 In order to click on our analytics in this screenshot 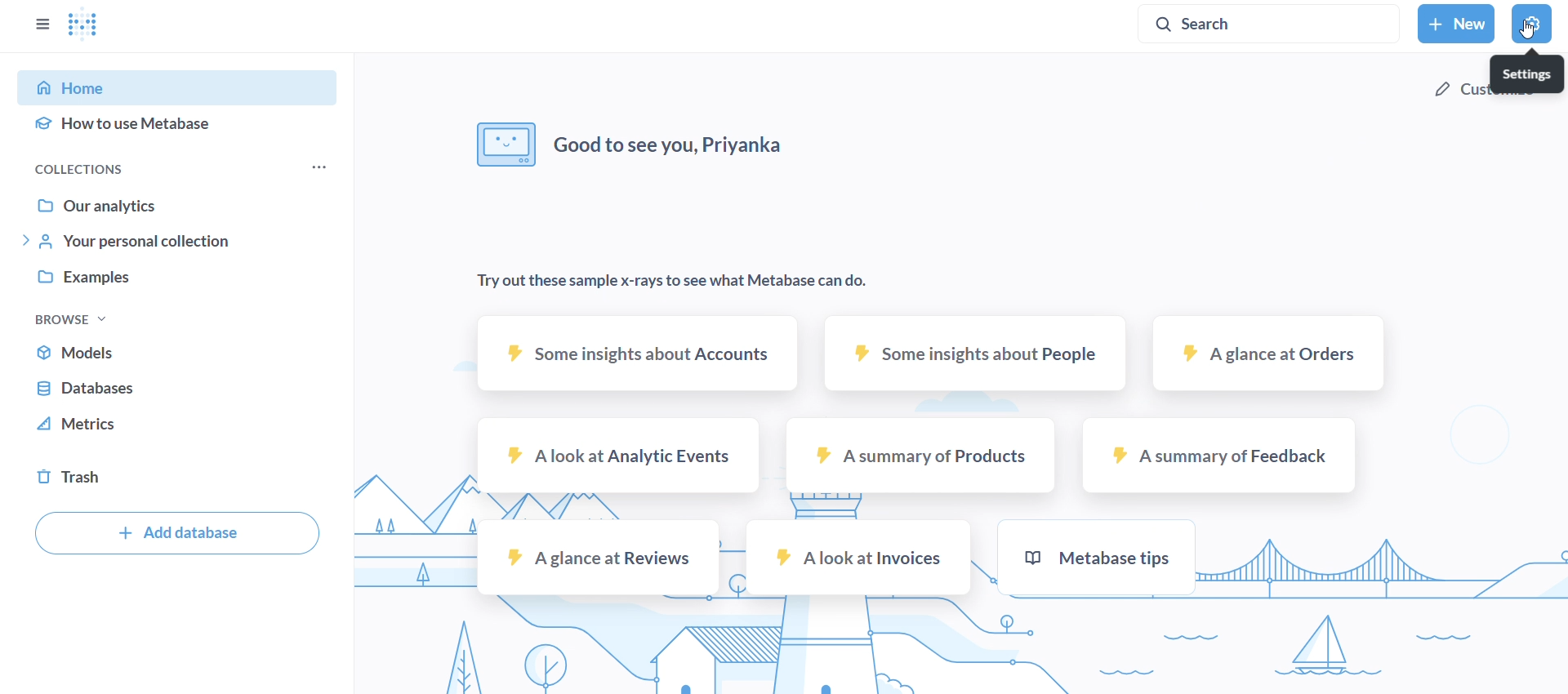, I will do `click(183, 204)`.